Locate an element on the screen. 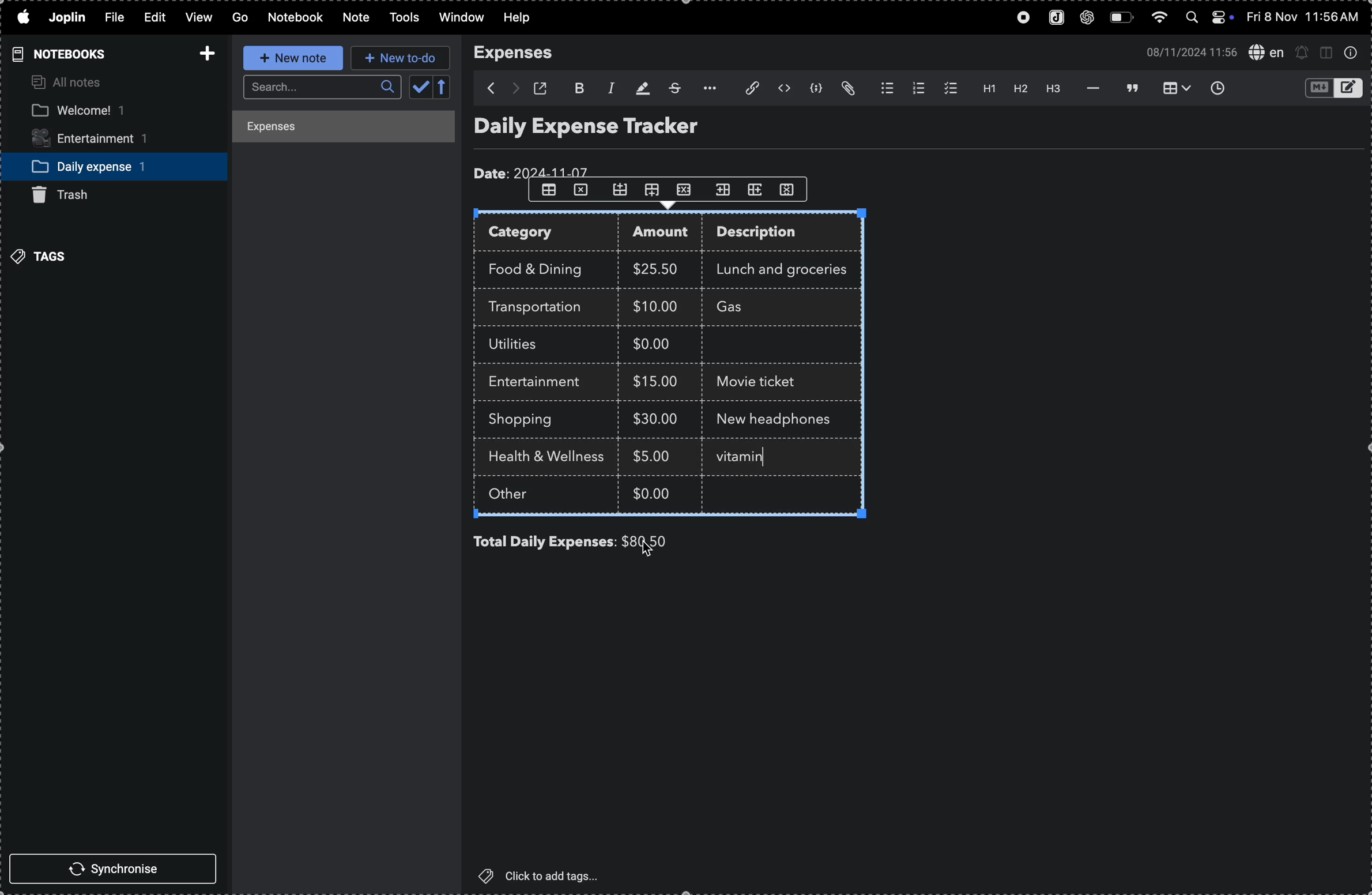  highlight is located at coordinates (640, 87).